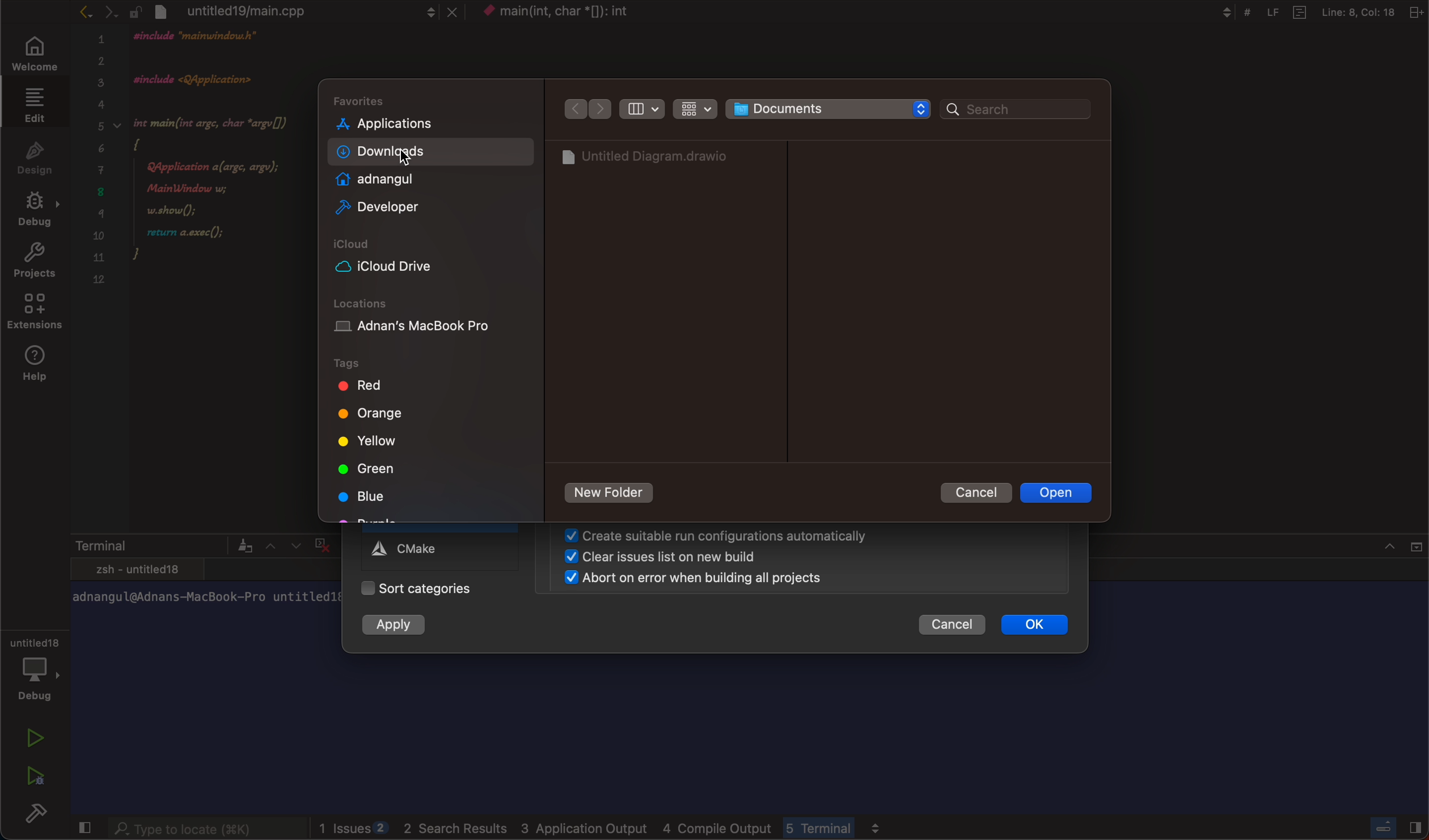  Describe the element at coordinates (1059, 494) in the screenshot. I see `open` at that location.